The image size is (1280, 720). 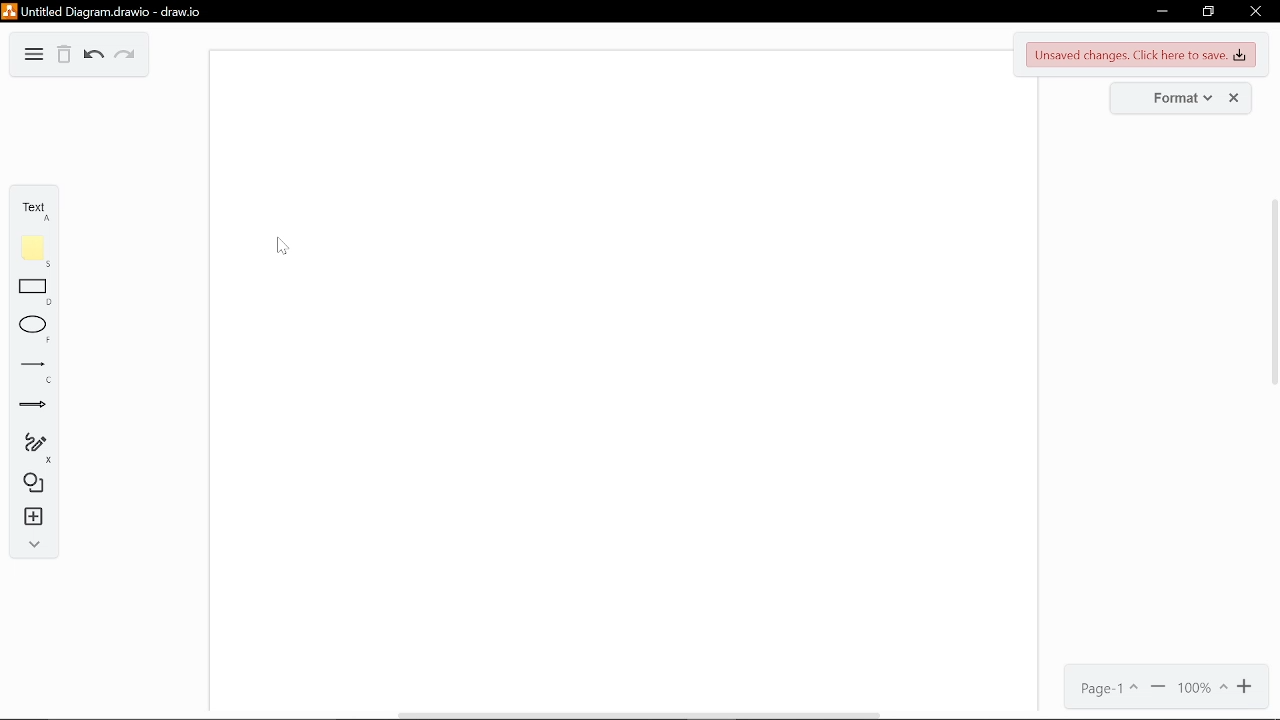 What do you see at coordinates (34, 485) in the screenshot?
I see `shapes` at bounding box center [34, 485].